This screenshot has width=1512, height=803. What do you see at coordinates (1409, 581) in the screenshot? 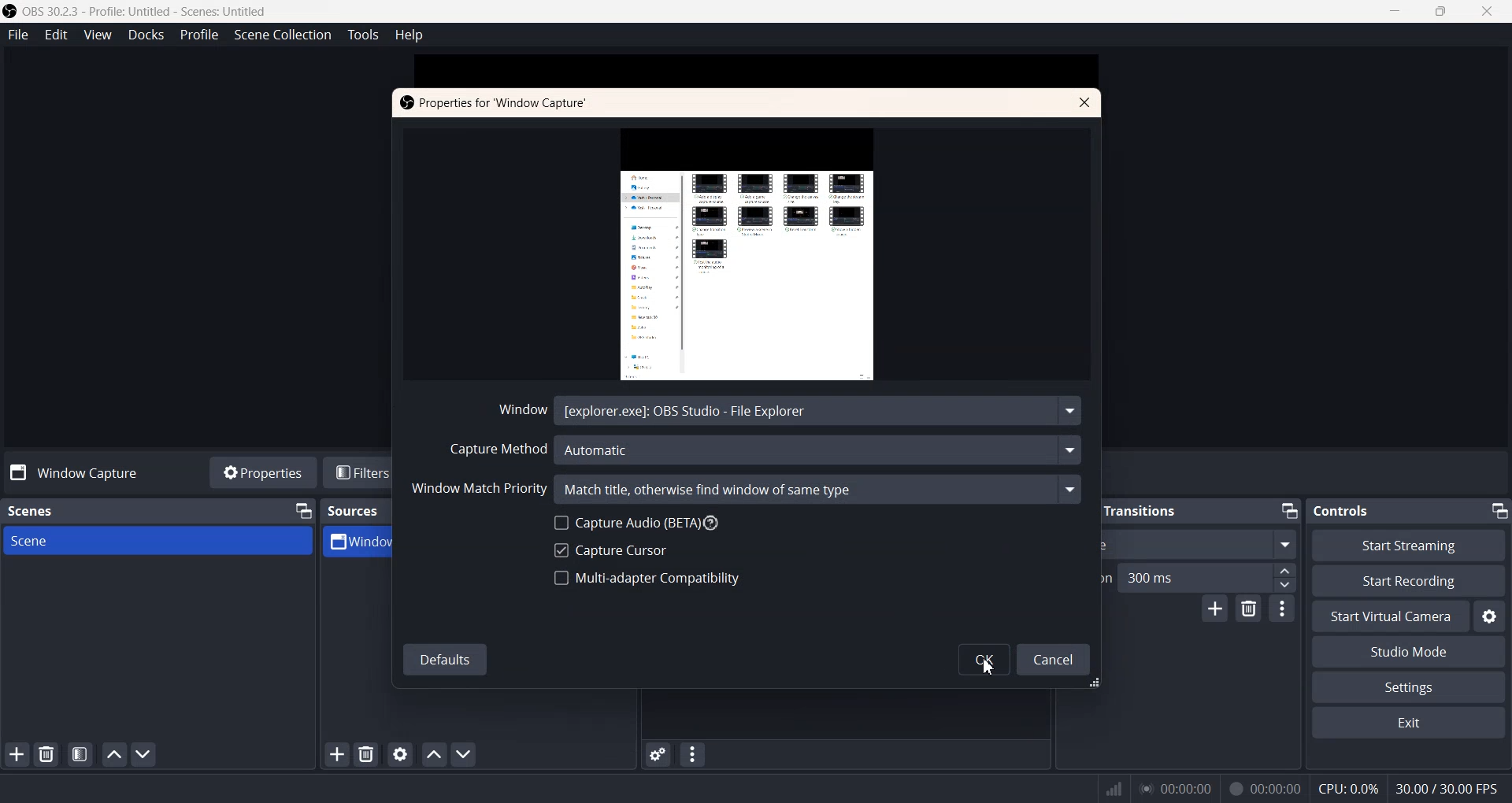
I see `Start Recording` at bounding box center [1409, 581].